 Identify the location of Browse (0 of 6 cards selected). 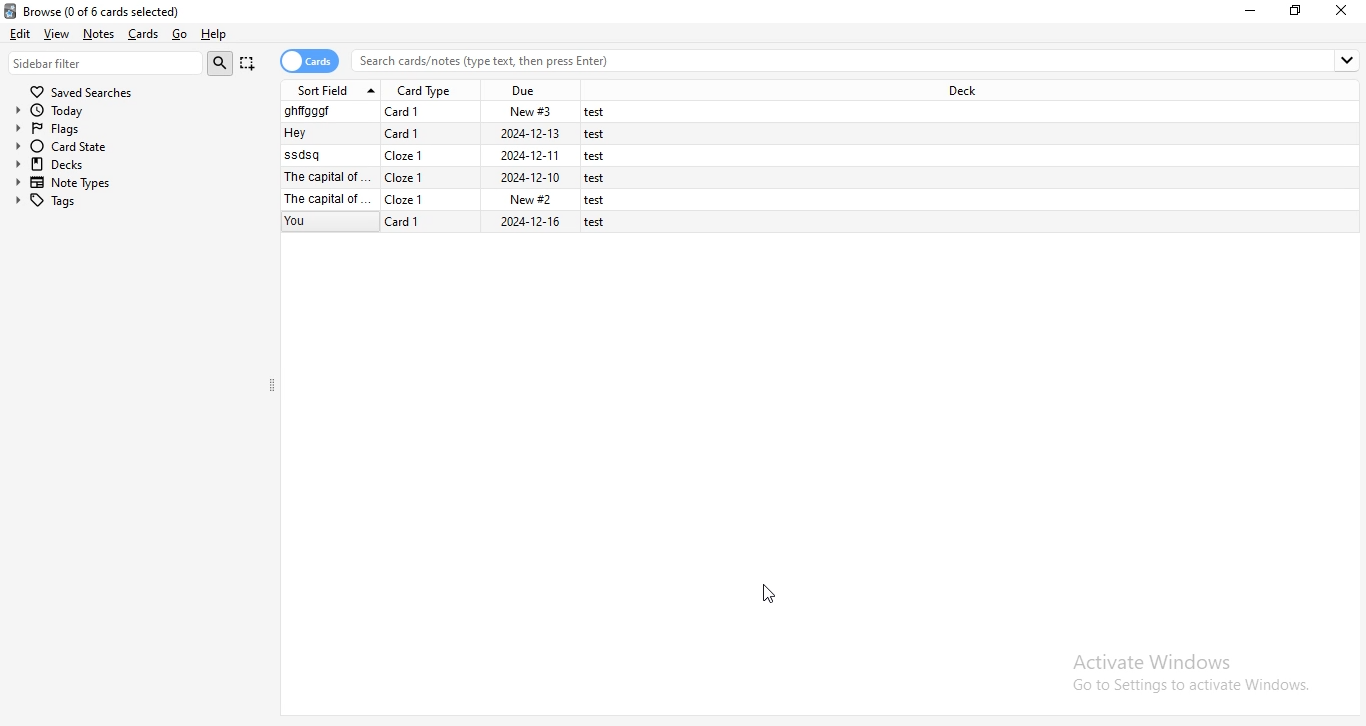
(111, 10).